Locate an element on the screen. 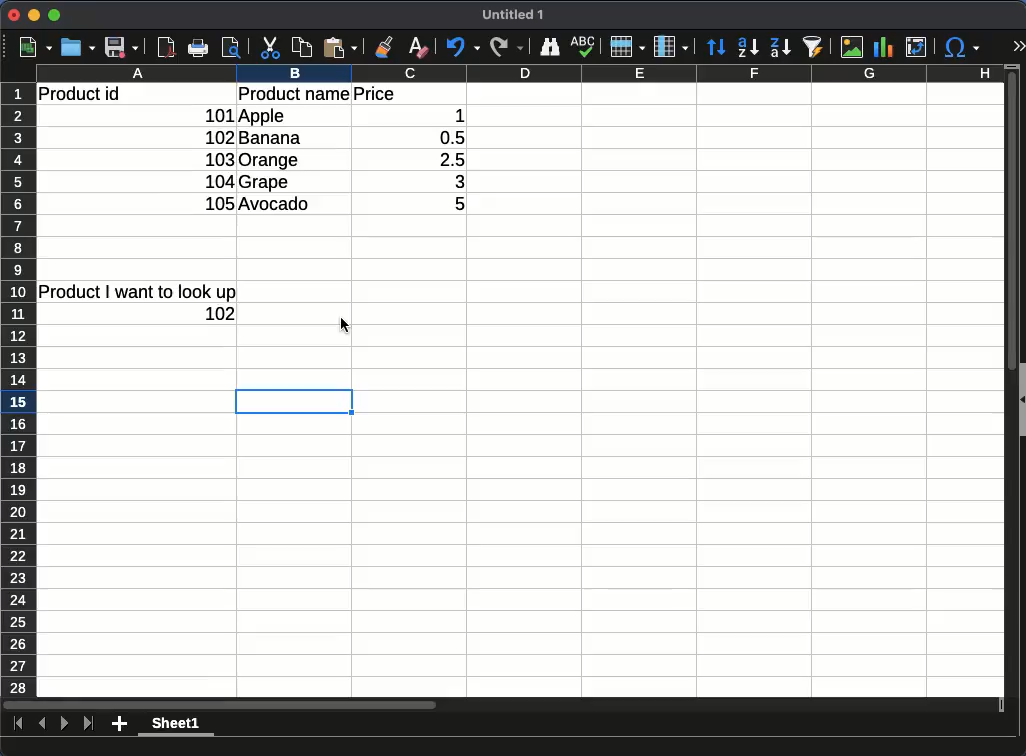 The image size is (1026, 756). cut is located at coordinates (270, 47).